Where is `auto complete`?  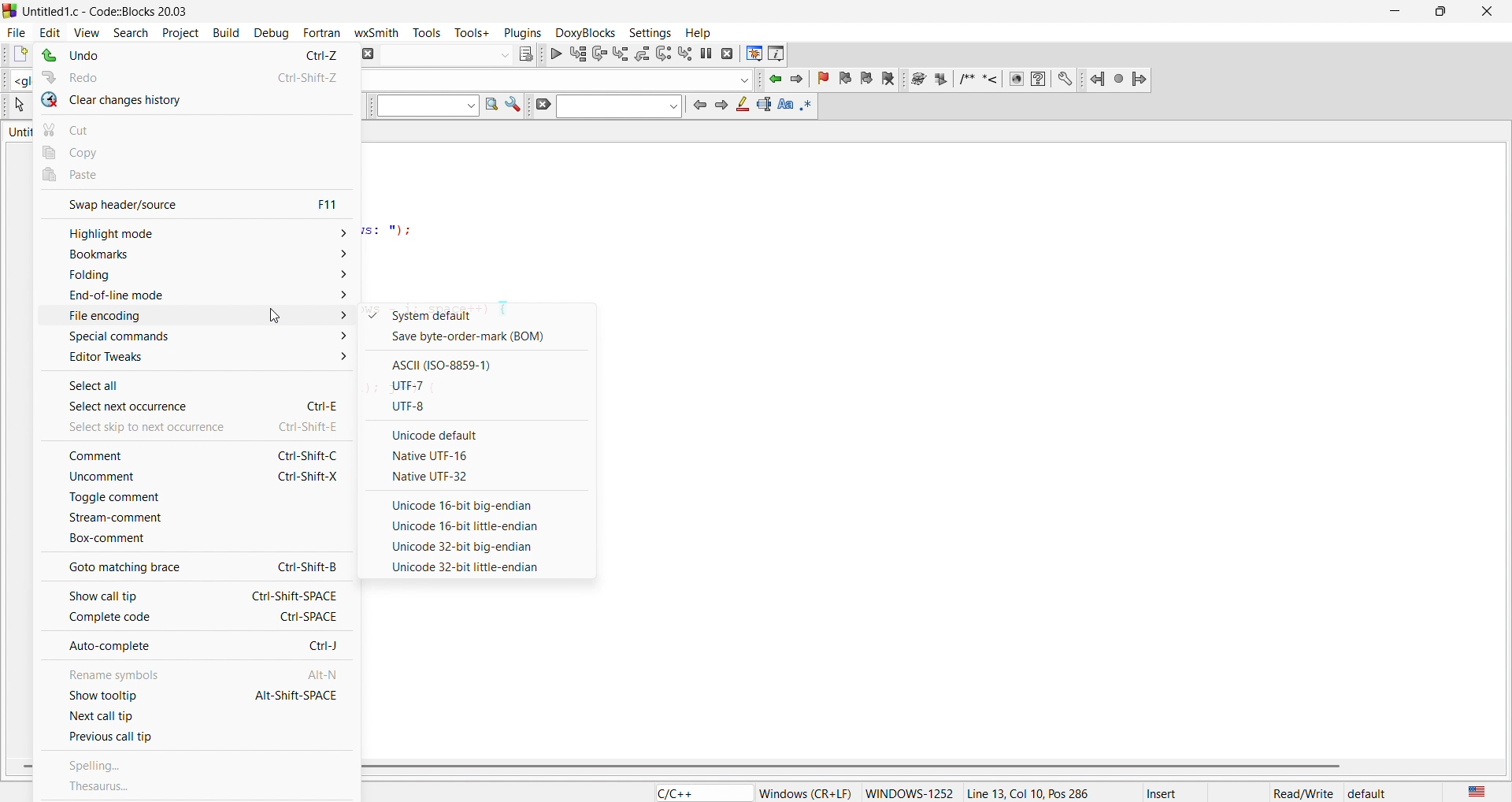 auto complete is located at coordinates (198, 646).